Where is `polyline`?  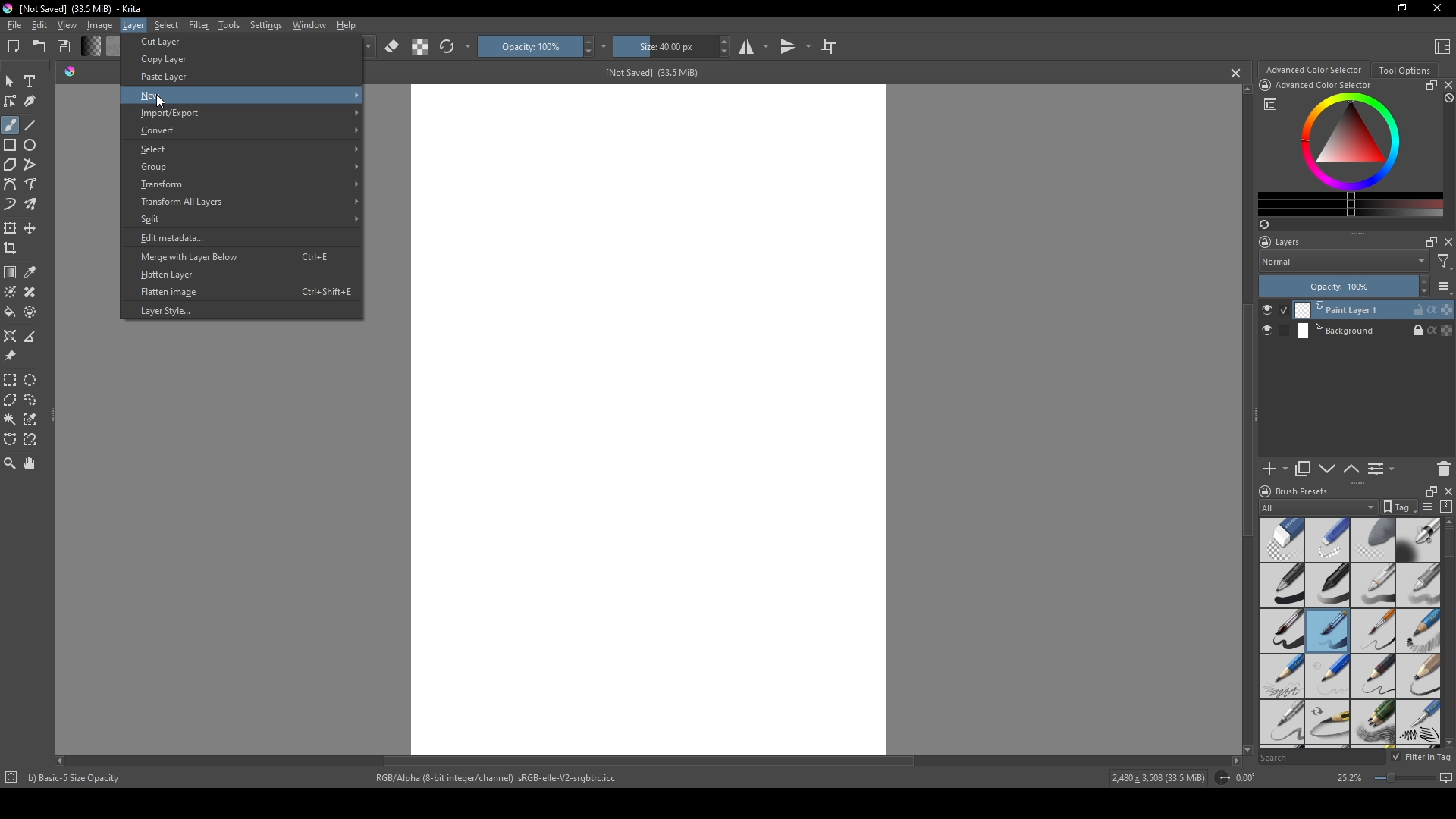
polyline is located at coordinates (32, 165).